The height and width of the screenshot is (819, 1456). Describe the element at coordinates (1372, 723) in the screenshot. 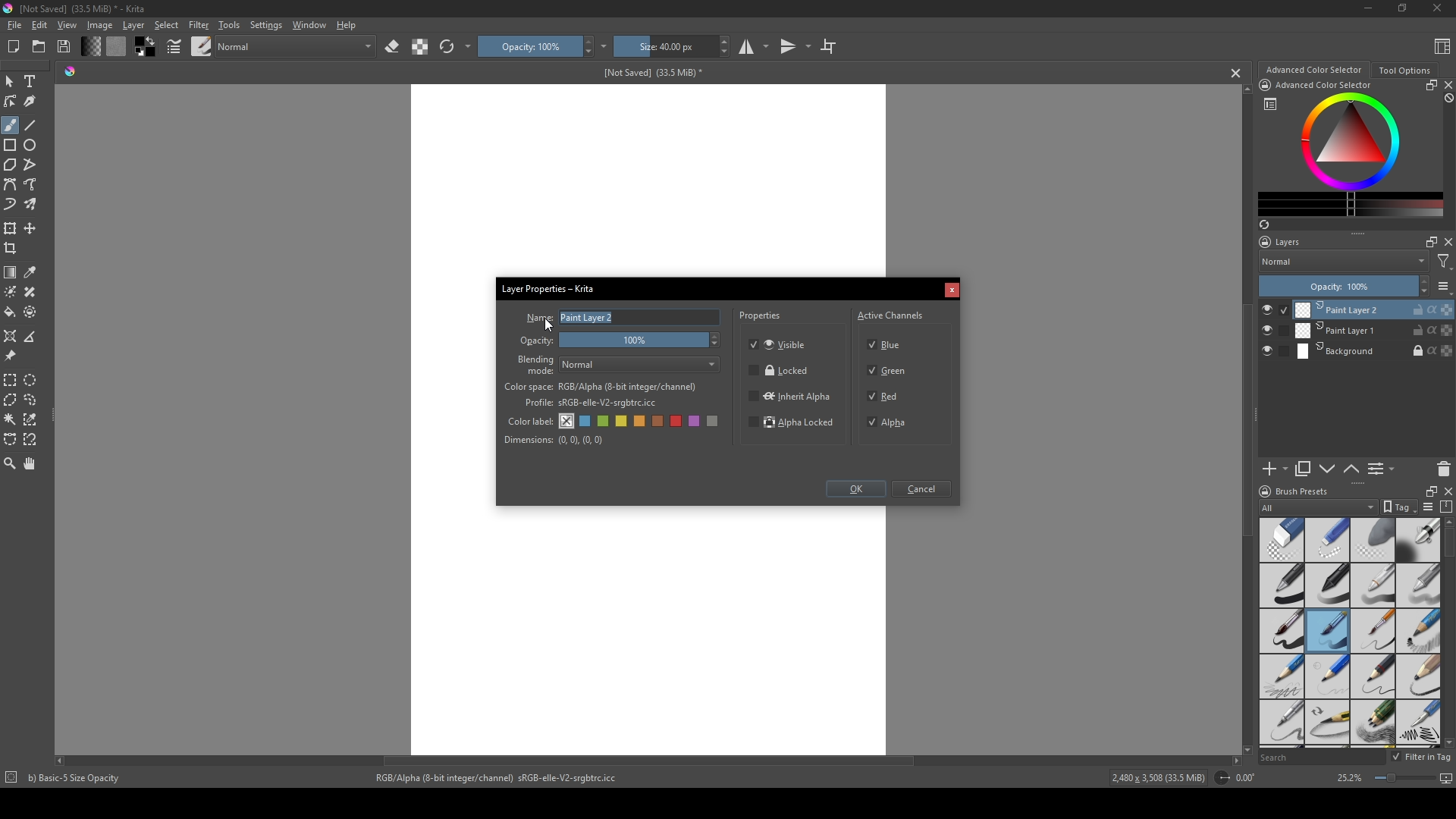

I see `pencils` at that location.